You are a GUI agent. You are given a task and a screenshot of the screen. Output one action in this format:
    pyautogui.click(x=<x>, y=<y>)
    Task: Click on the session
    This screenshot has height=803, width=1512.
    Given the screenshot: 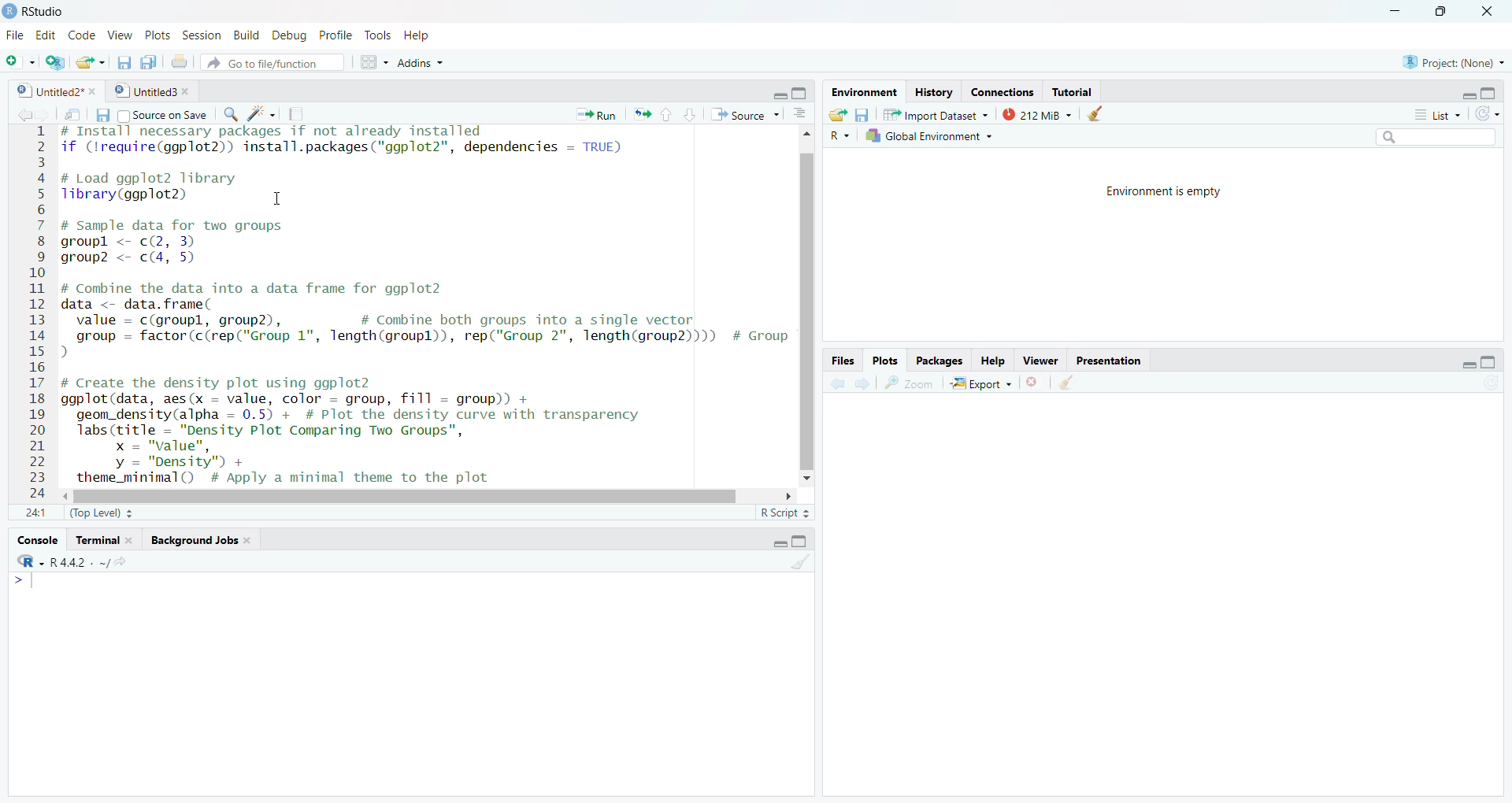 What is the action you would take?
    pyautogui.click(x=205, y=34)
    